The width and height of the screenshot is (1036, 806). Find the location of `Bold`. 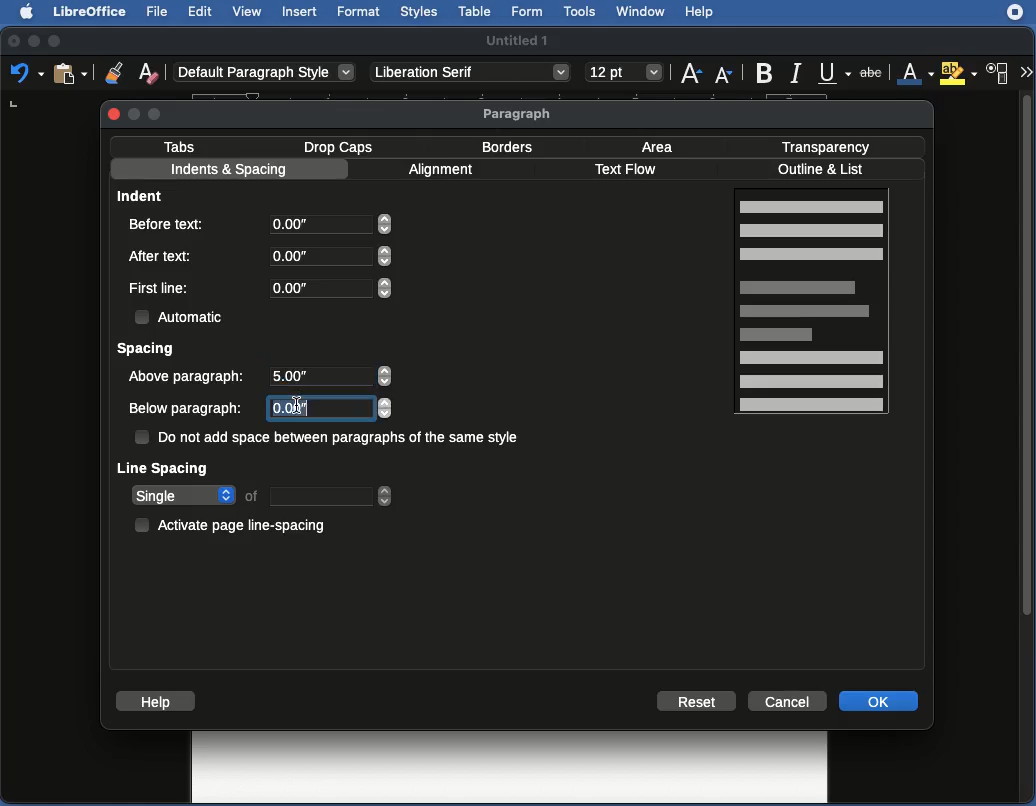

Bold is located at coordinates (763, 71).